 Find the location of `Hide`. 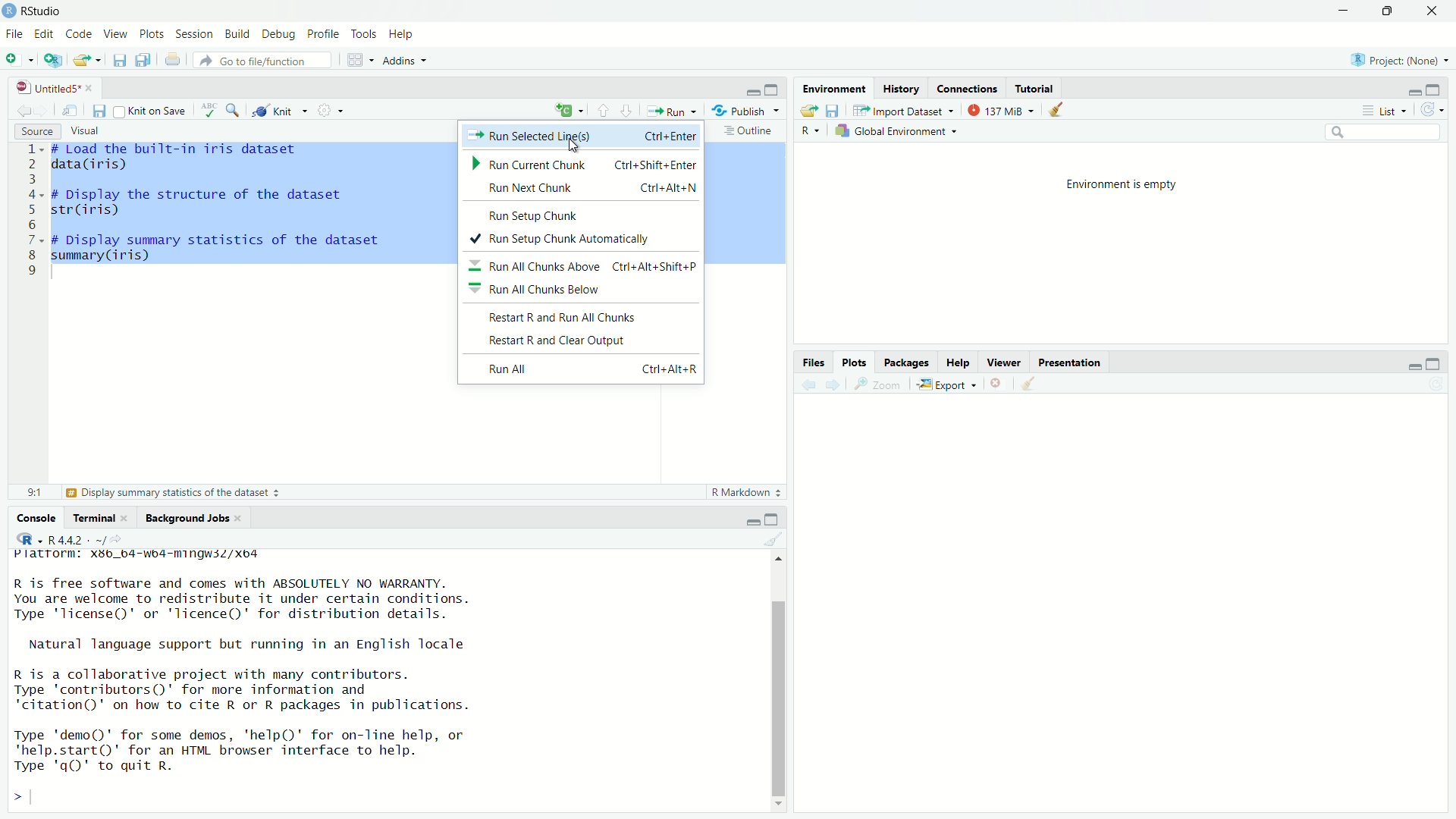

Hide is located at coordinates (1414, 363).